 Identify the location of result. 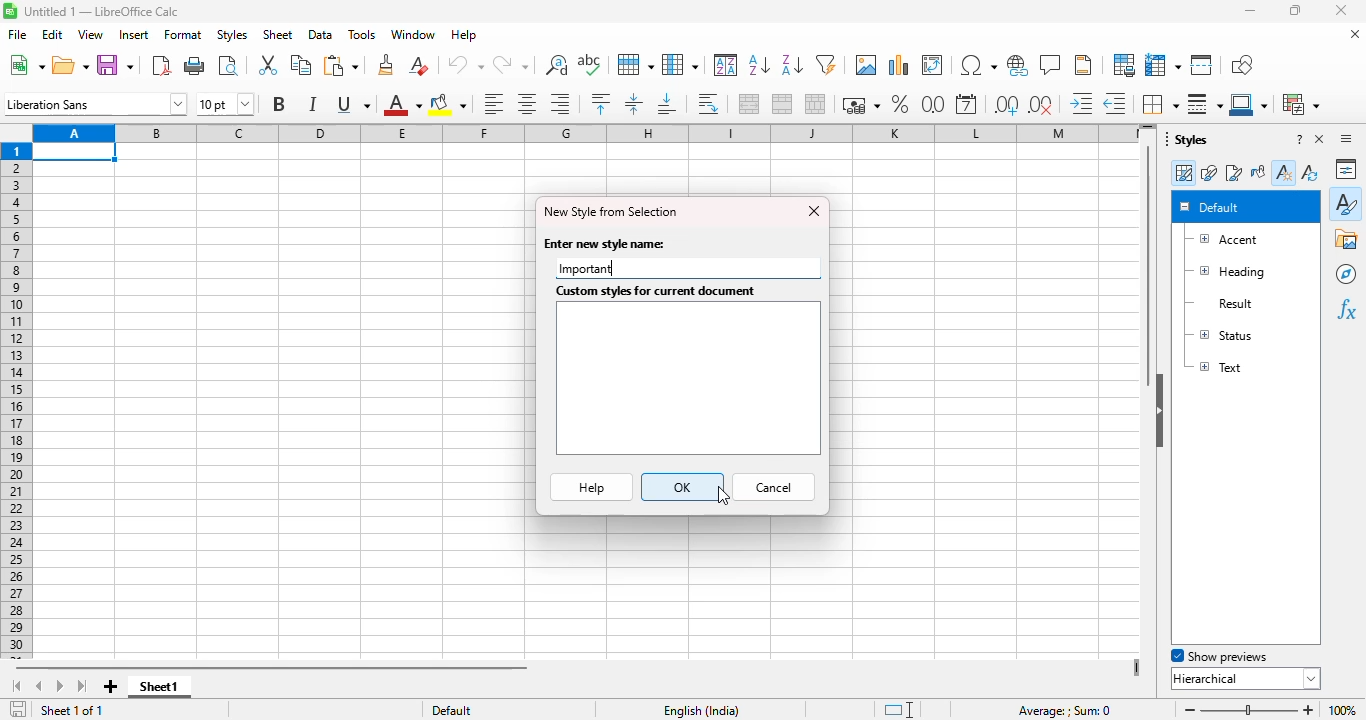
(1219, 304).